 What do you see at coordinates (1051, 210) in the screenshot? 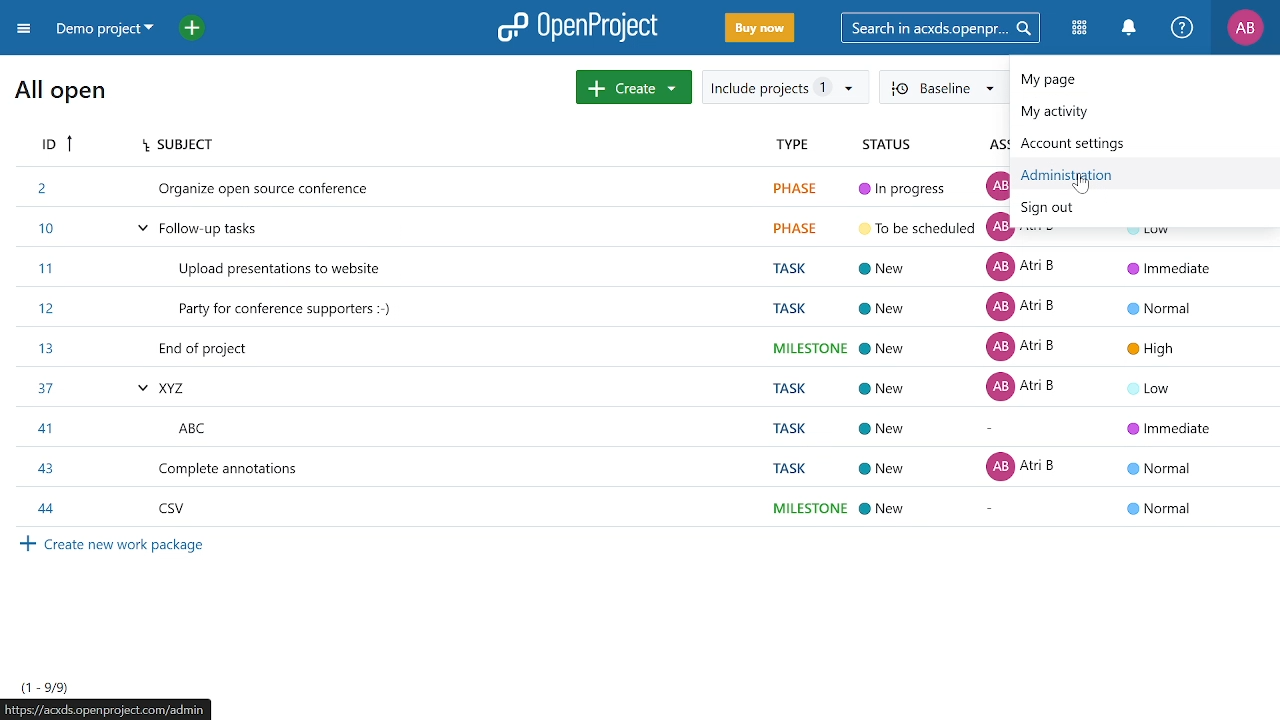
I see `Sign out` at bounding box center [1051, 210].